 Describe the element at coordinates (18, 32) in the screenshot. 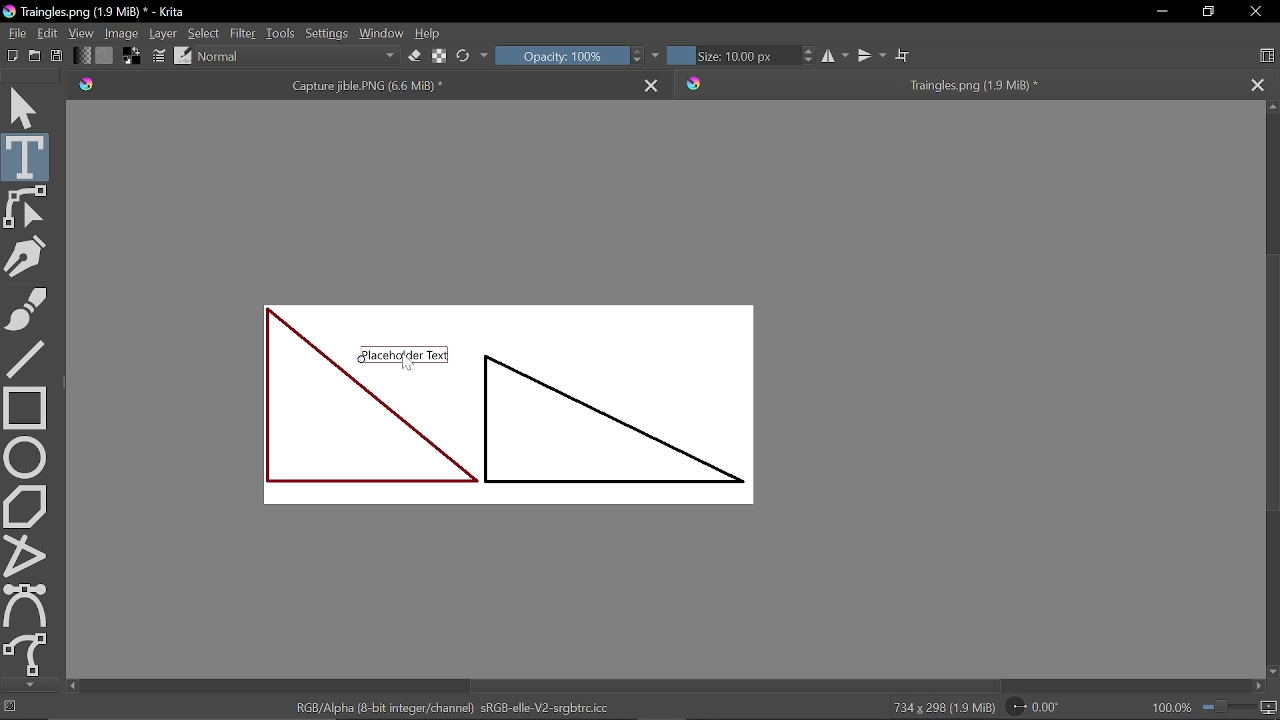

I see `File` at that location.